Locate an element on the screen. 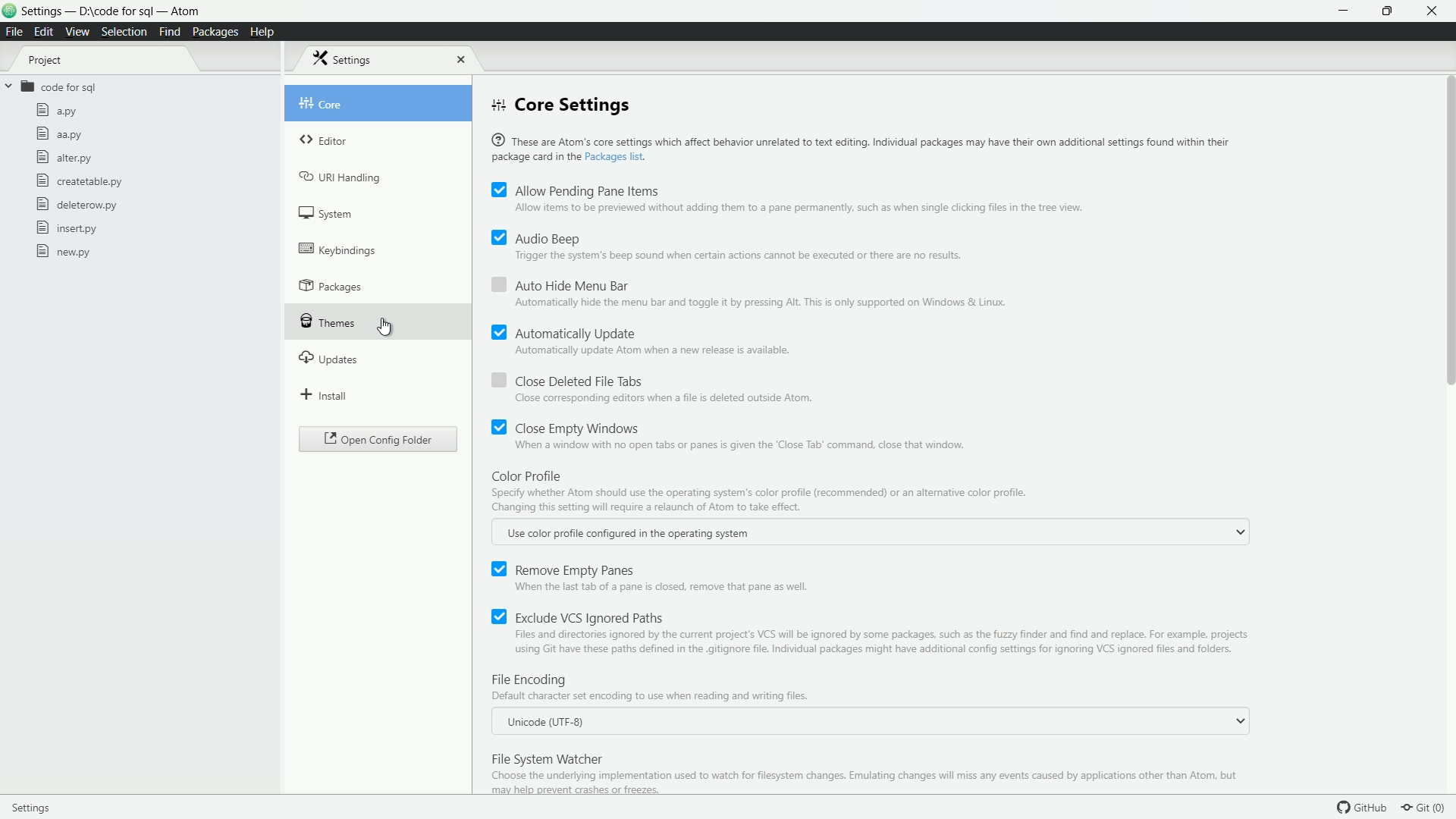  when a window with no open tabs or panes is given the "close tab " command , close window is located at coordinates (748, 445).